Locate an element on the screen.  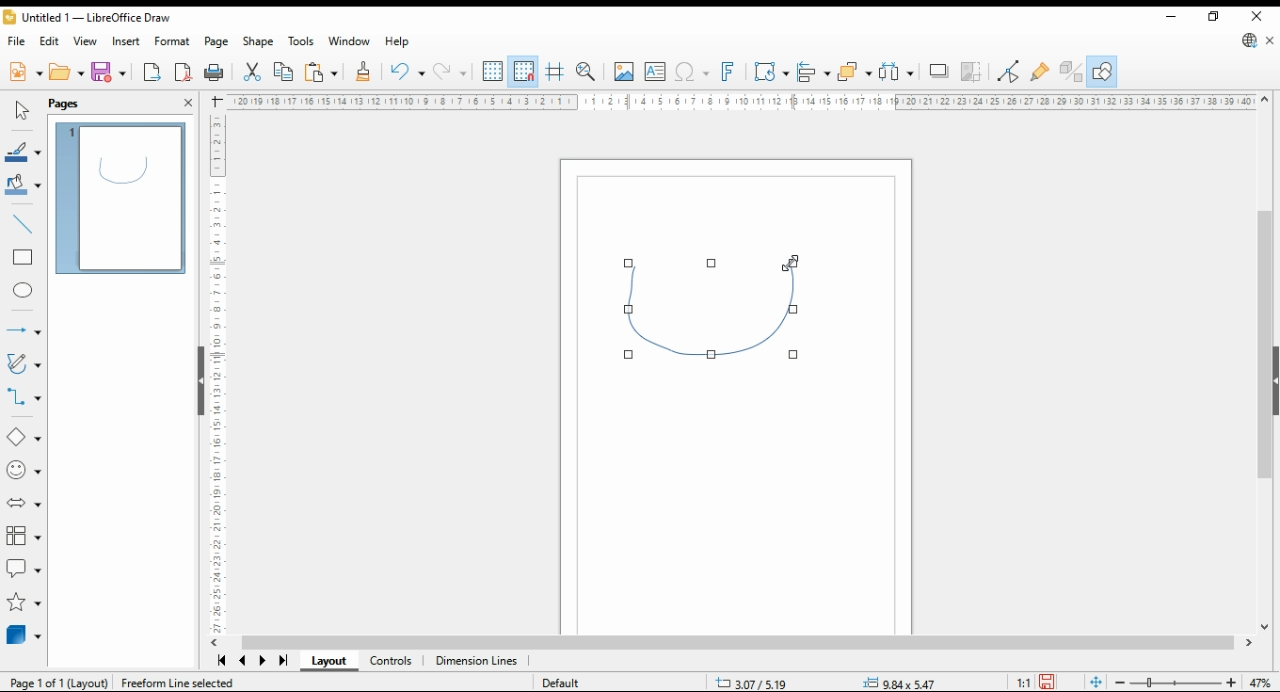
connectors is located at coordinates (22, 396).